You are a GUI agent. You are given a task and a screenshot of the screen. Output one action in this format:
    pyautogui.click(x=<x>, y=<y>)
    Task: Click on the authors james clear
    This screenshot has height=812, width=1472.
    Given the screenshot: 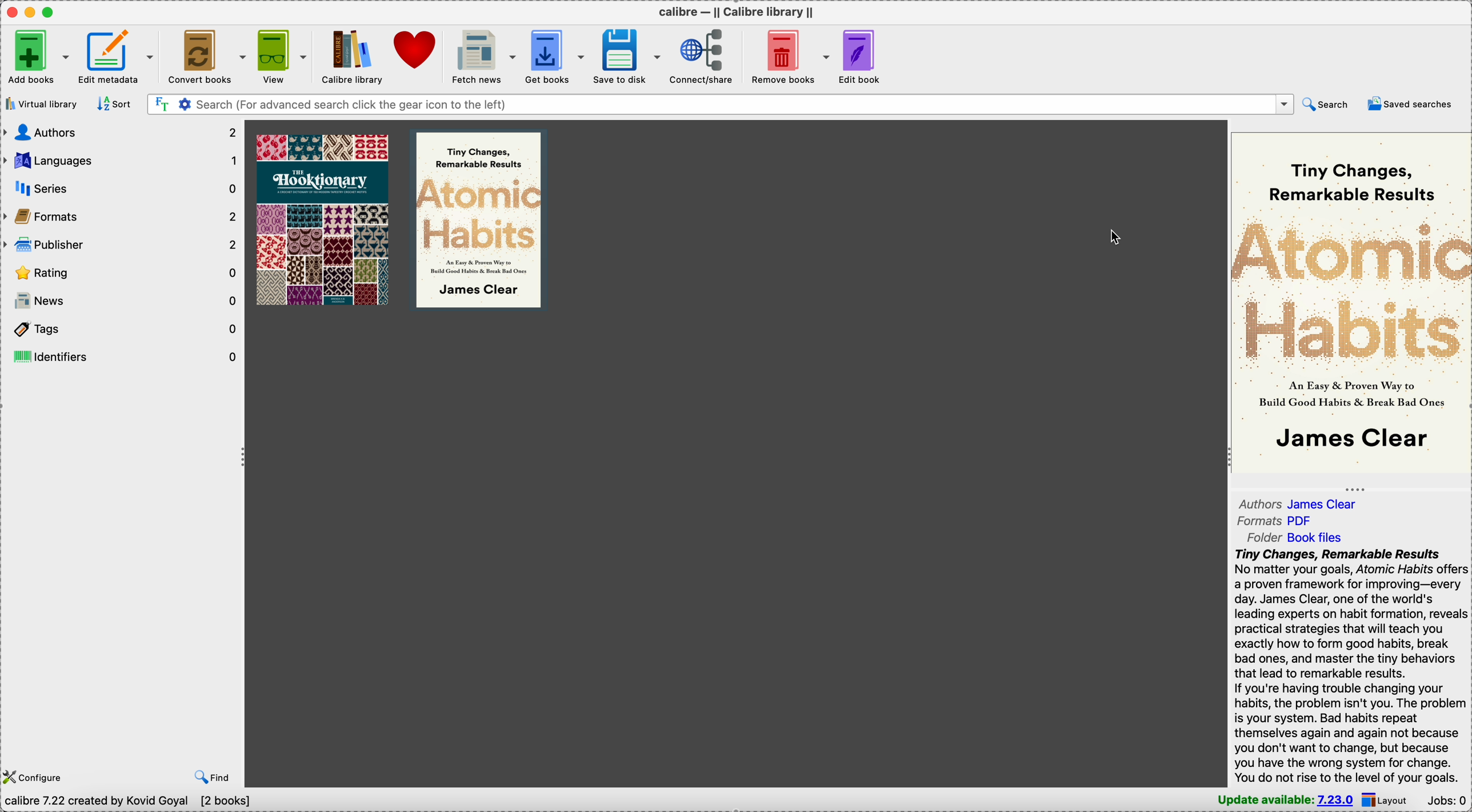 What is the action you would take?
    pyautogui.click(x=1297, y=503)
    